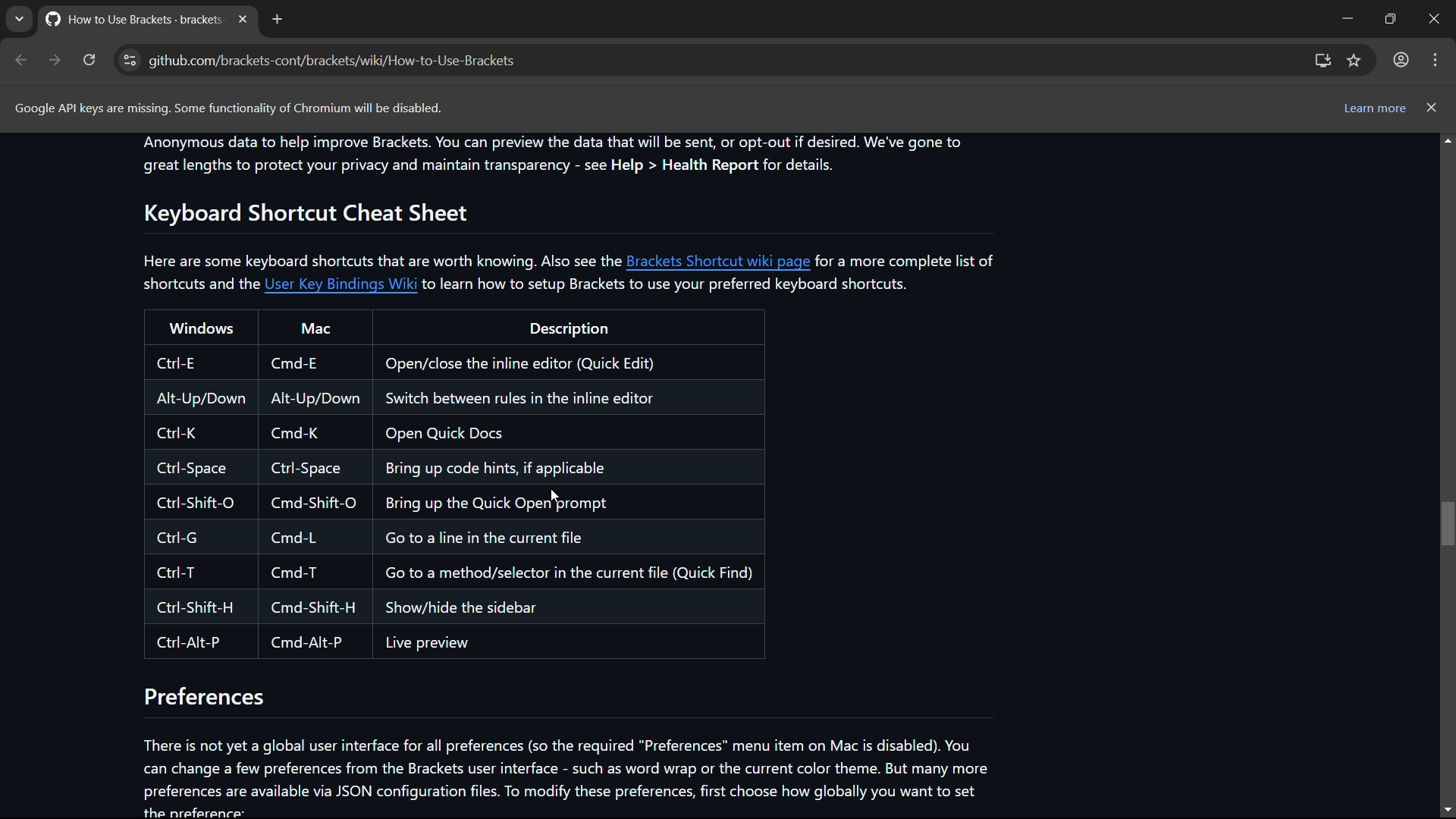 Image resolution: width=1456 pixels, height=819 pixels. I want to click on tab list, so click(19, 18).